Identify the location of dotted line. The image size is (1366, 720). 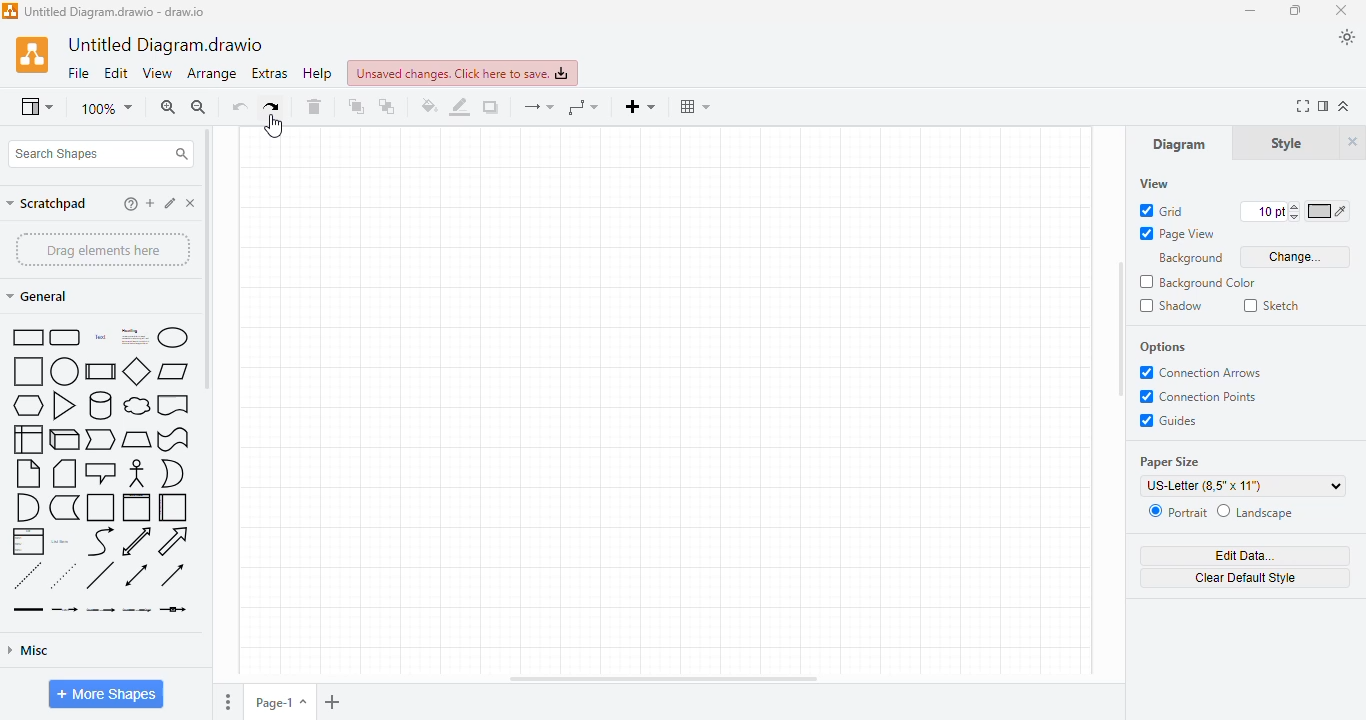
(63, 575).